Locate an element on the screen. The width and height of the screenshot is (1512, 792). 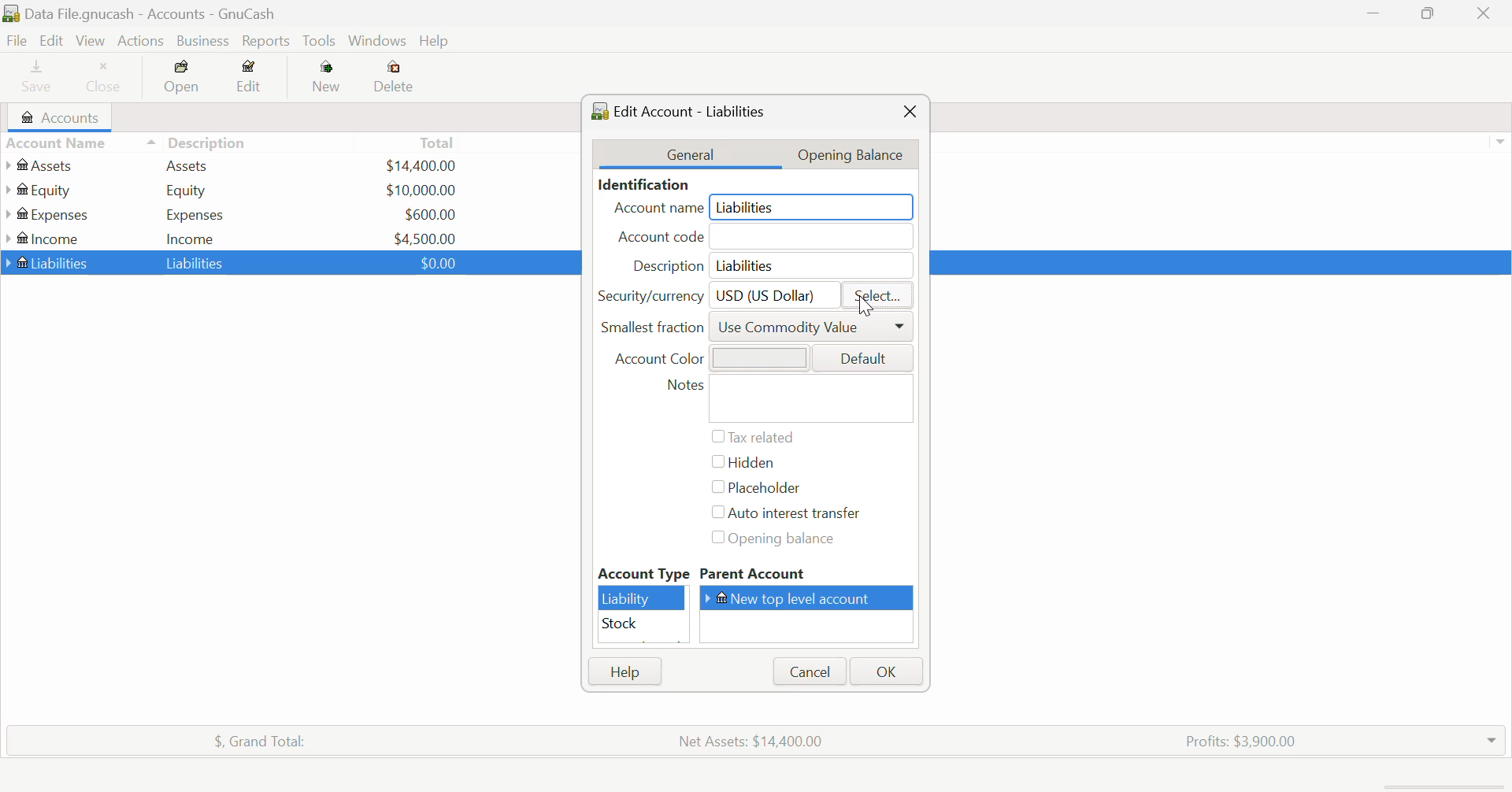
USD is located at coordinates (421, 190).